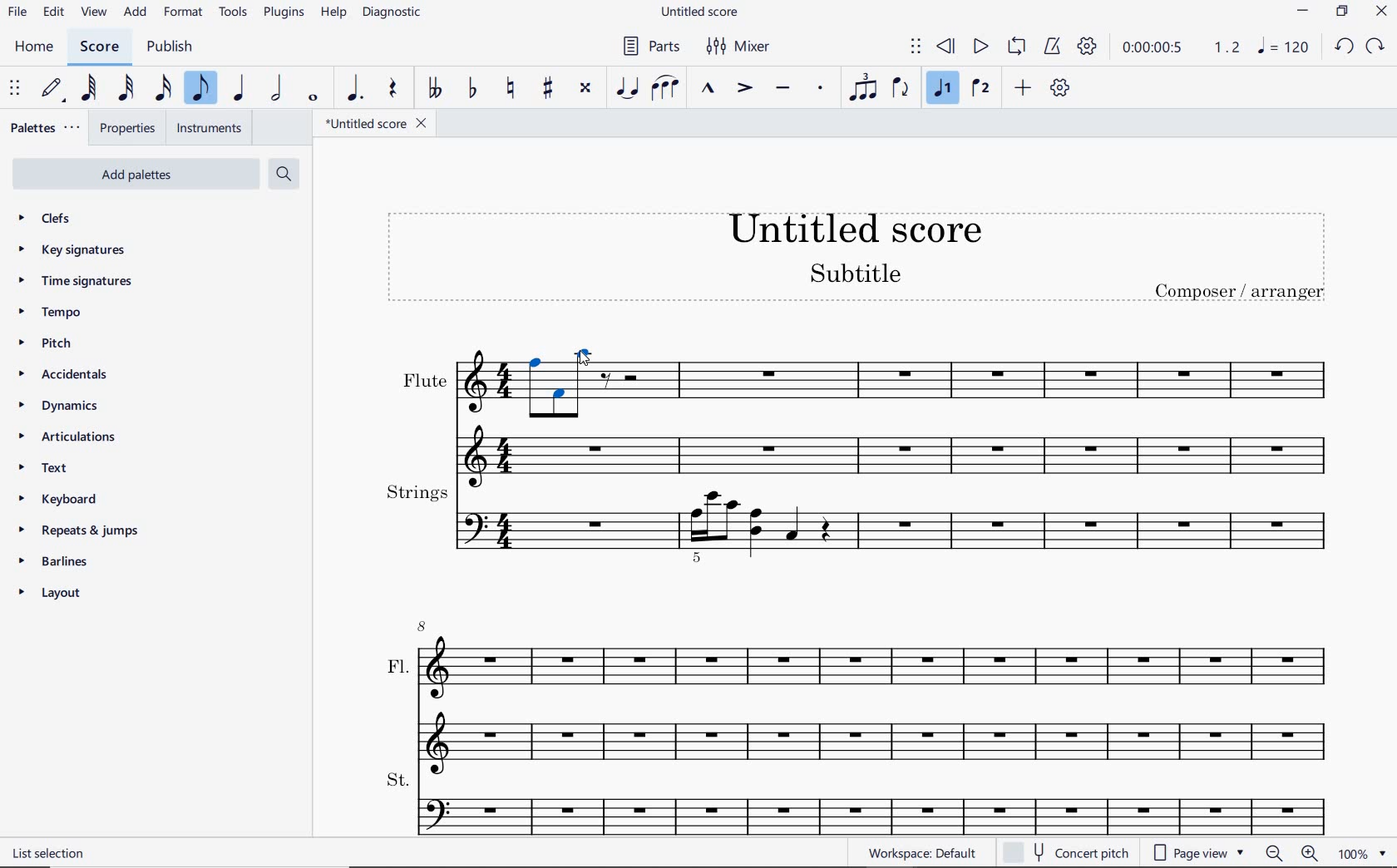 This screenshot has height=868, width=1397. I want to click on add palettes, so click(142, 173).